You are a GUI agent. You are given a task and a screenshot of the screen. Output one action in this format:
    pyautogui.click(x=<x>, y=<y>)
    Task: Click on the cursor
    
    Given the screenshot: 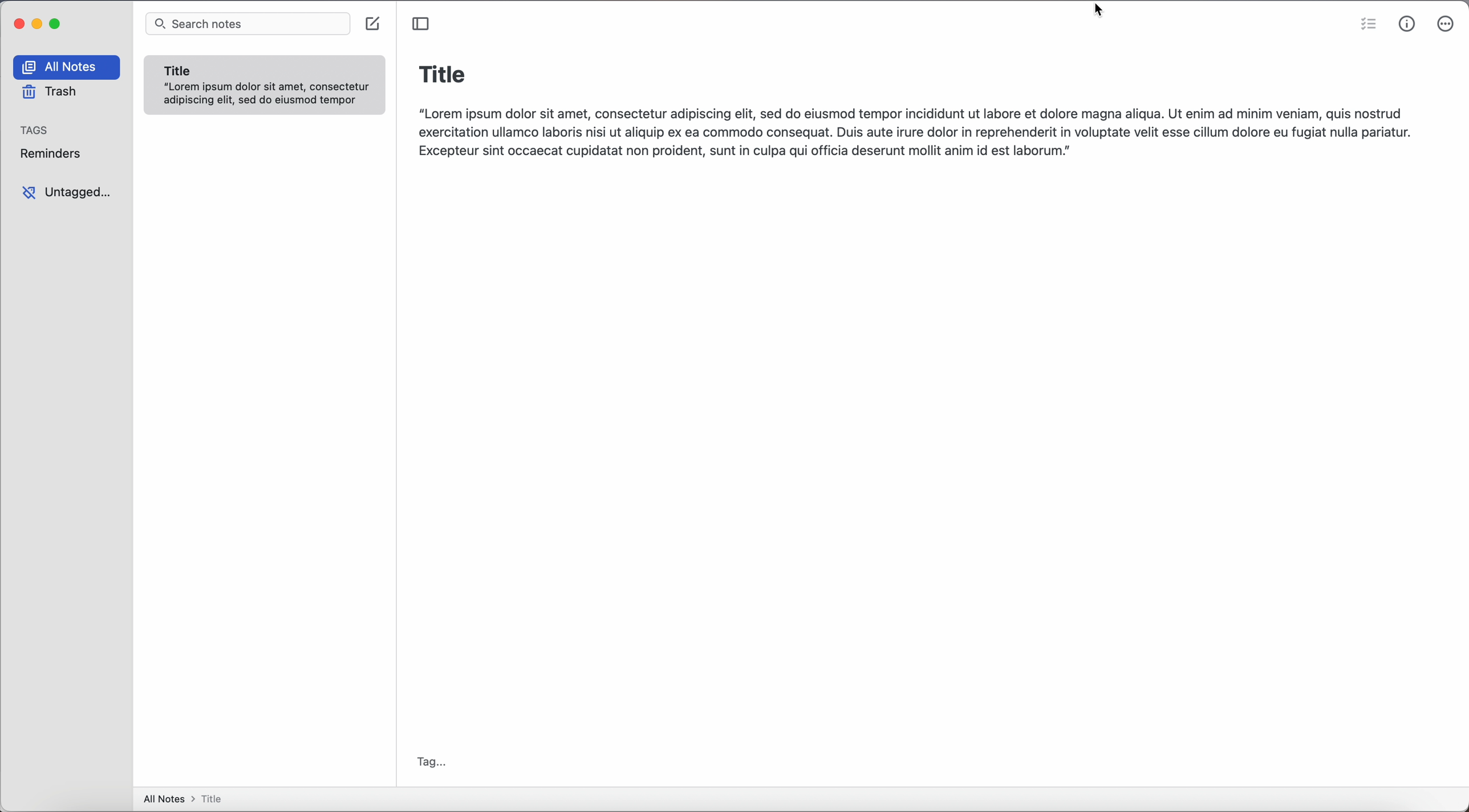 What is the action you would take?
    pyautogui.click(x=1101, y=11)
    